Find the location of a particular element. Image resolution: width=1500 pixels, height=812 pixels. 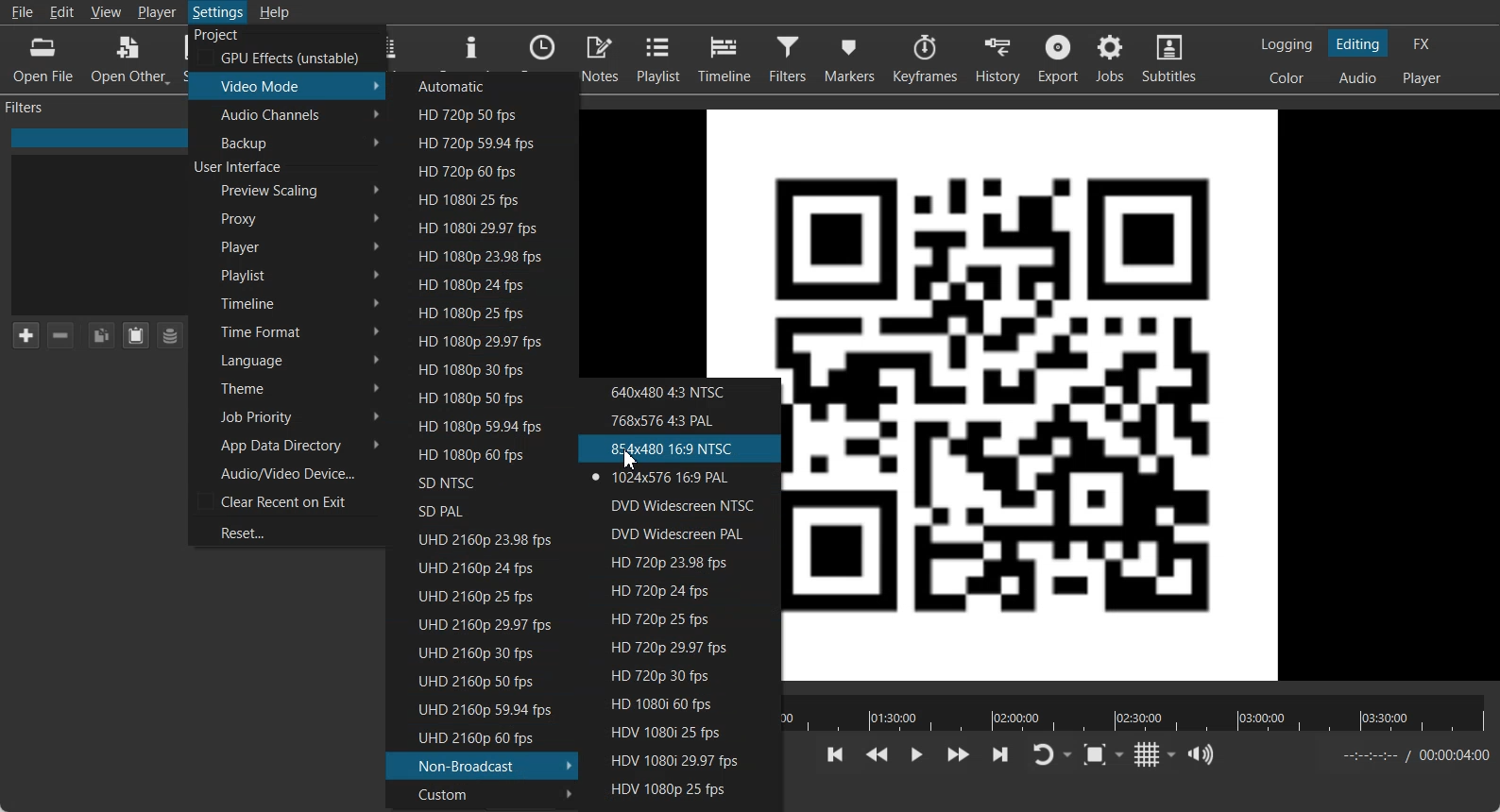

Cursor is located at coordinates (630, 460).